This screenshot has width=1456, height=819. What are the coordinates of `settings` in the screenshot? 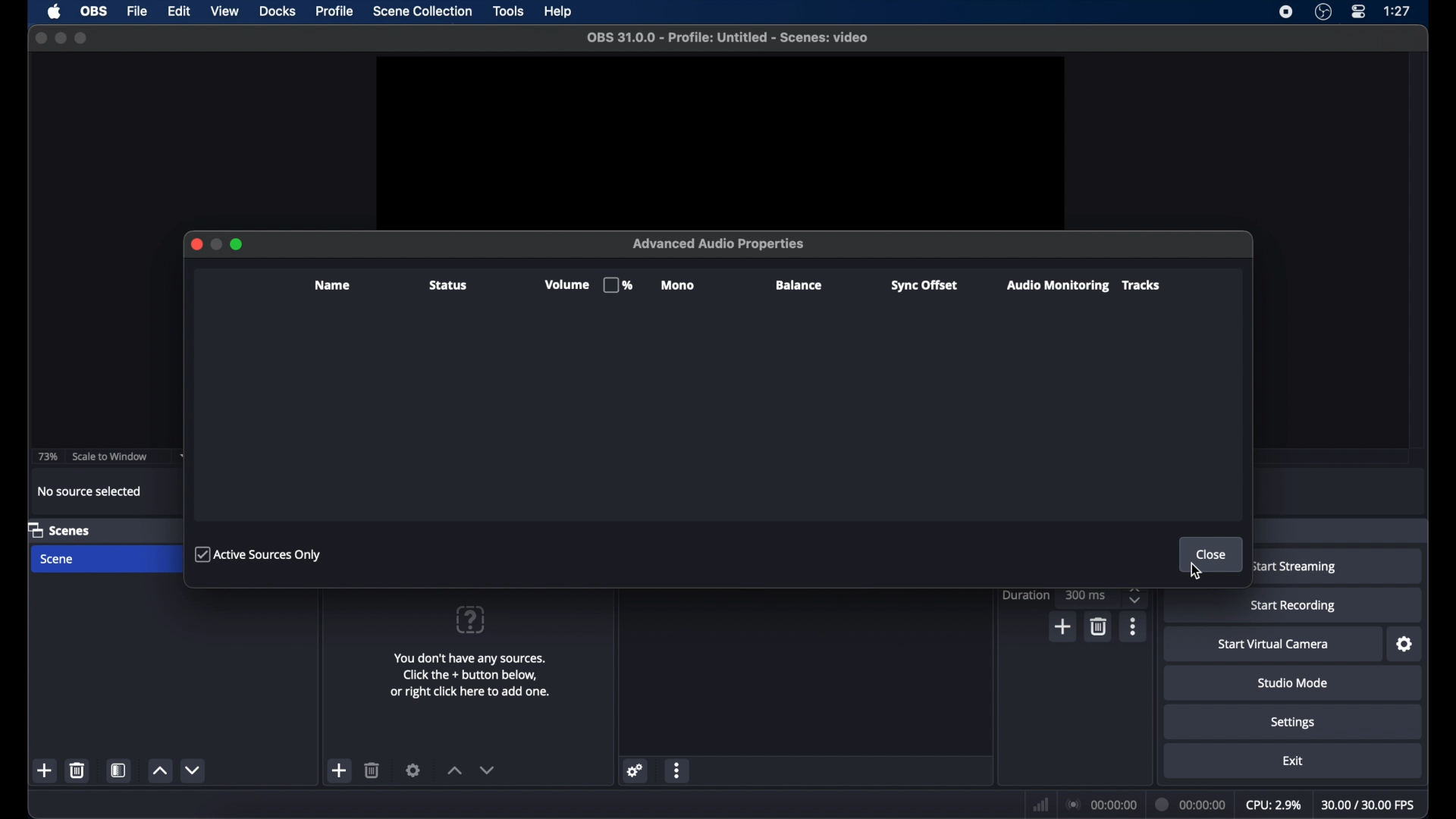 It's located at (1294, 723).